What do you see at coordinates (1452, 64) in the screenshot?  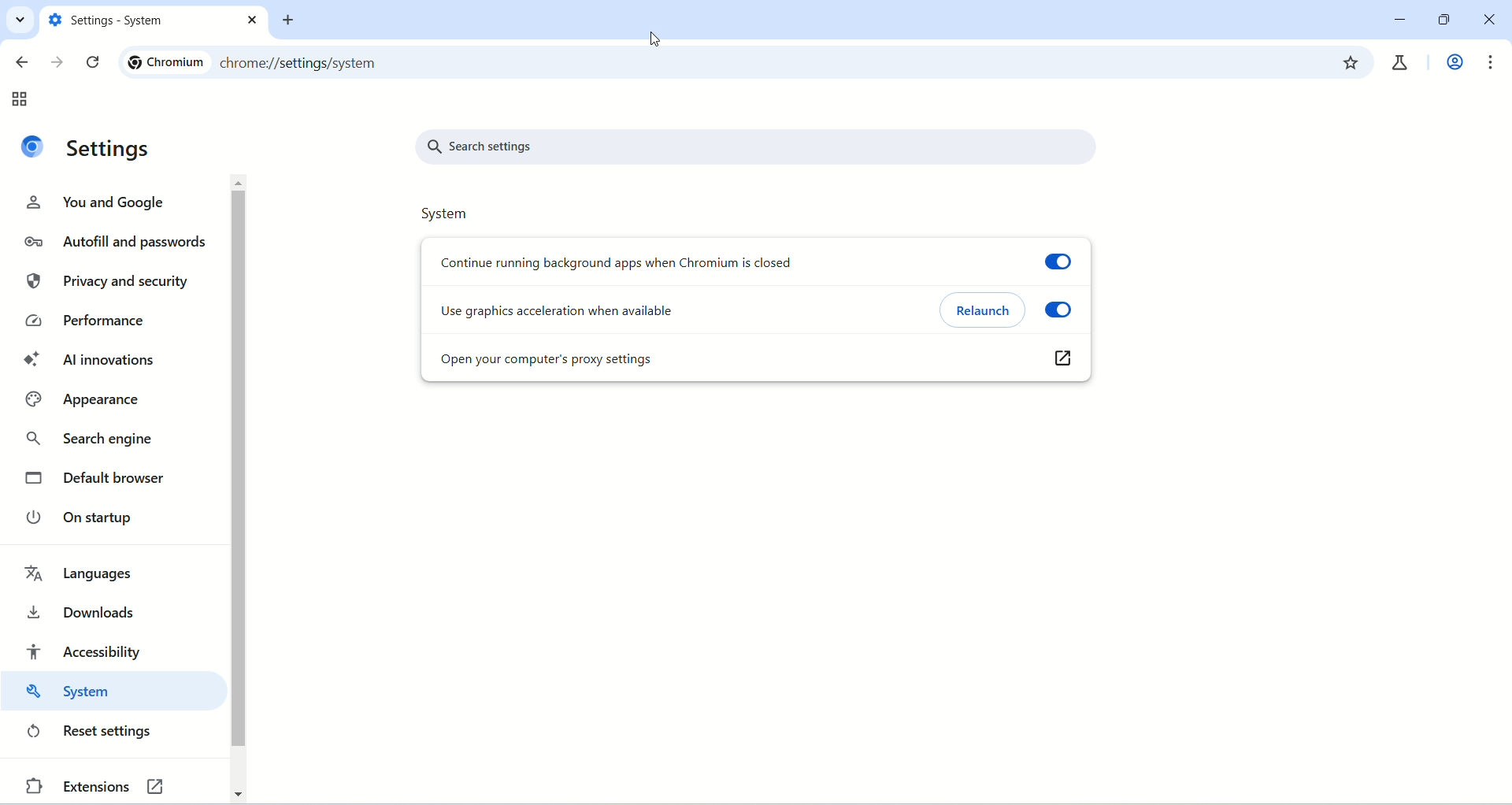 I see `work` at bounding box center [1452, 64].